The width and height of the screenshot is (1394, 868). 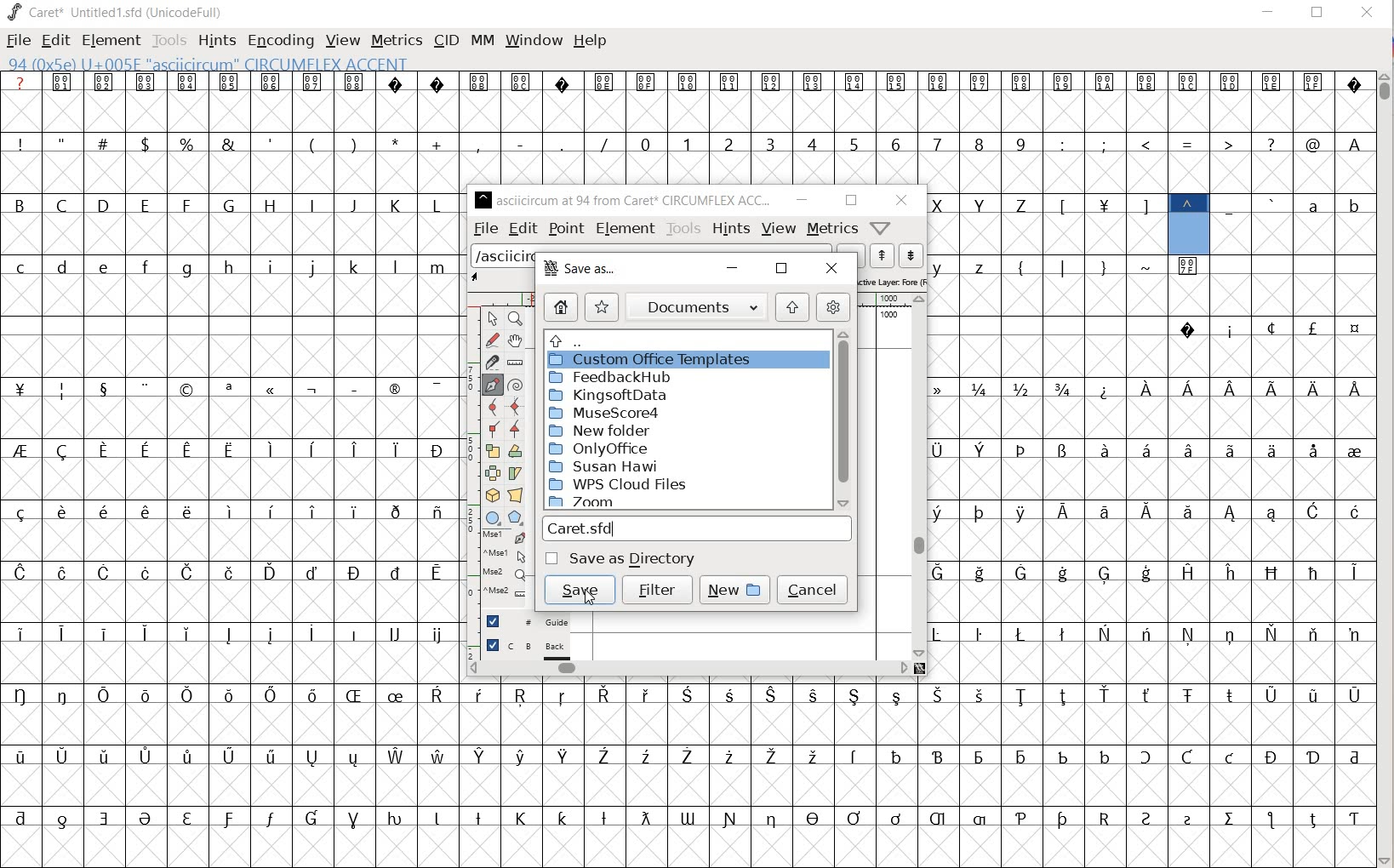 I want to click on save as, so click(x=578, y=270).